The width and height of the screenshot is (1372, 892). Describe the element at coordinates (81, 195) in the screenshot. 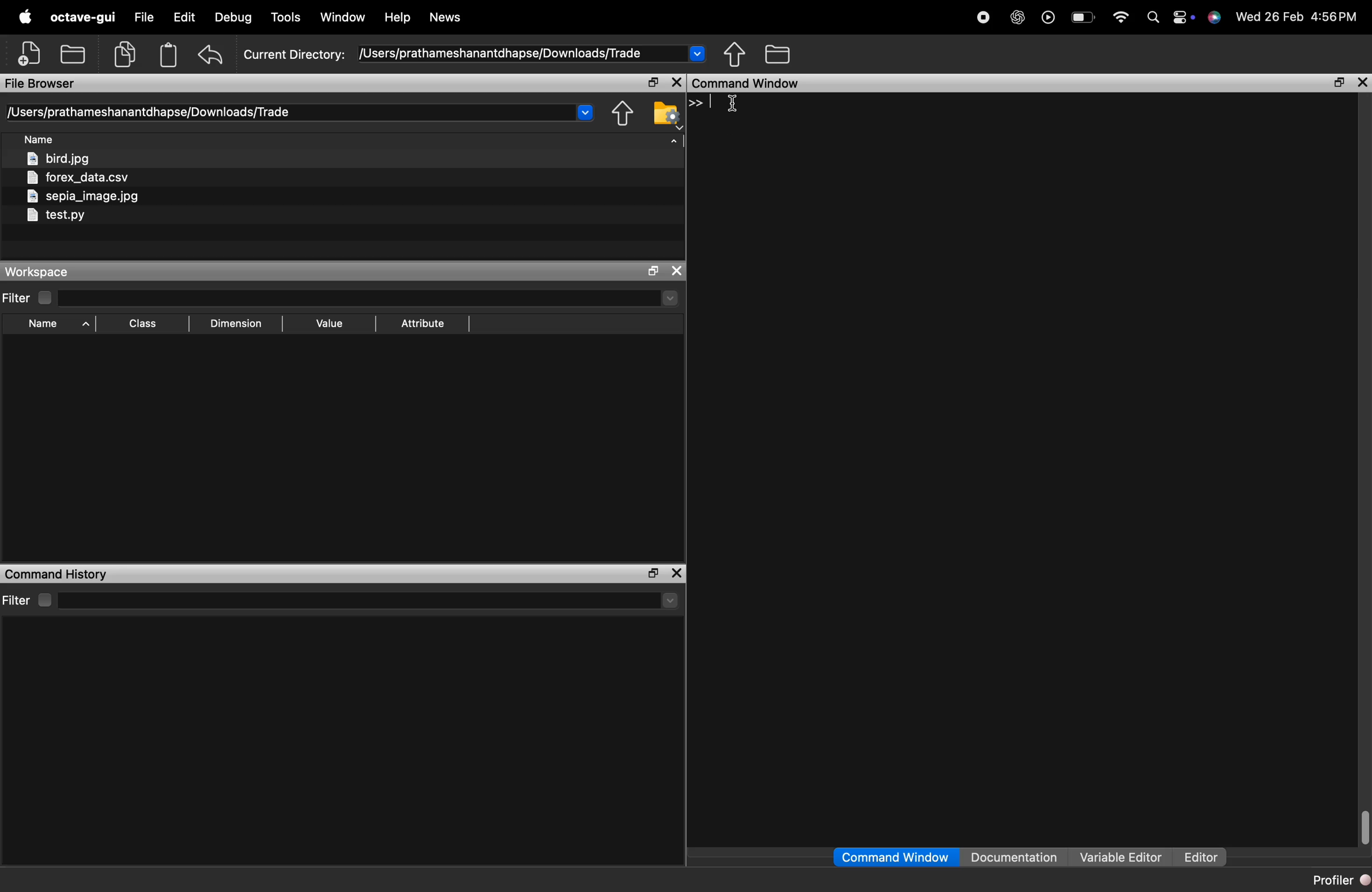

I see `sepia_image.jpg` at that location.